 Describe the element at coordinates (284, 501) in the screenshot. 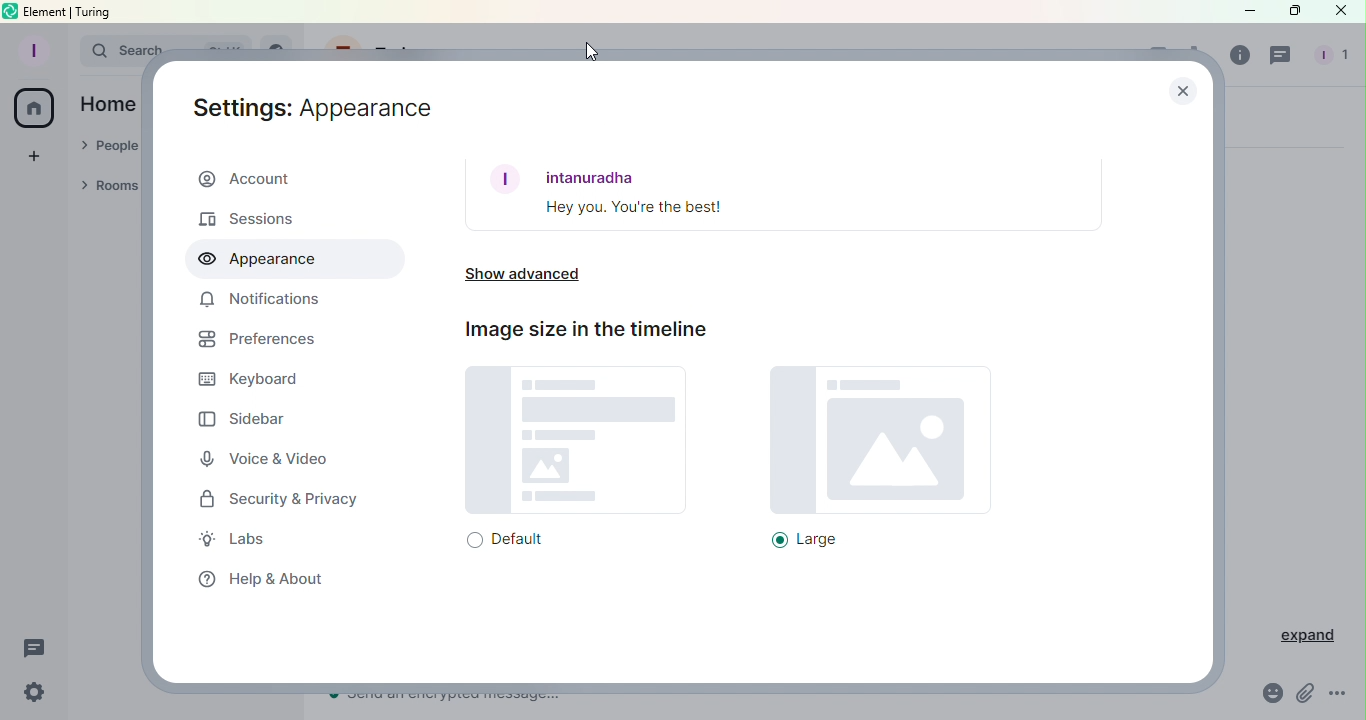

I see `Security and privacy` at that location.